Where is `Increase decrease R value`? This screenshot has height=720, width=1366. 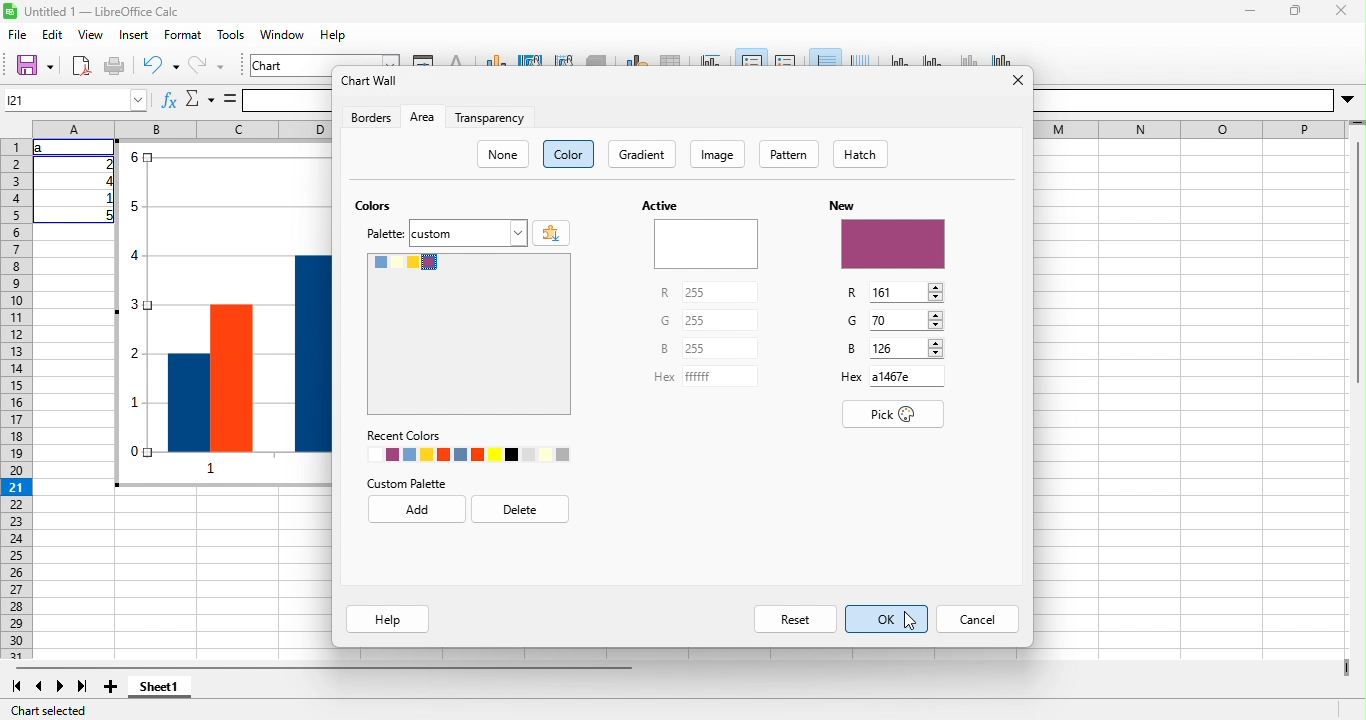
Increase decrease R value is located at coordinates (936, 292).